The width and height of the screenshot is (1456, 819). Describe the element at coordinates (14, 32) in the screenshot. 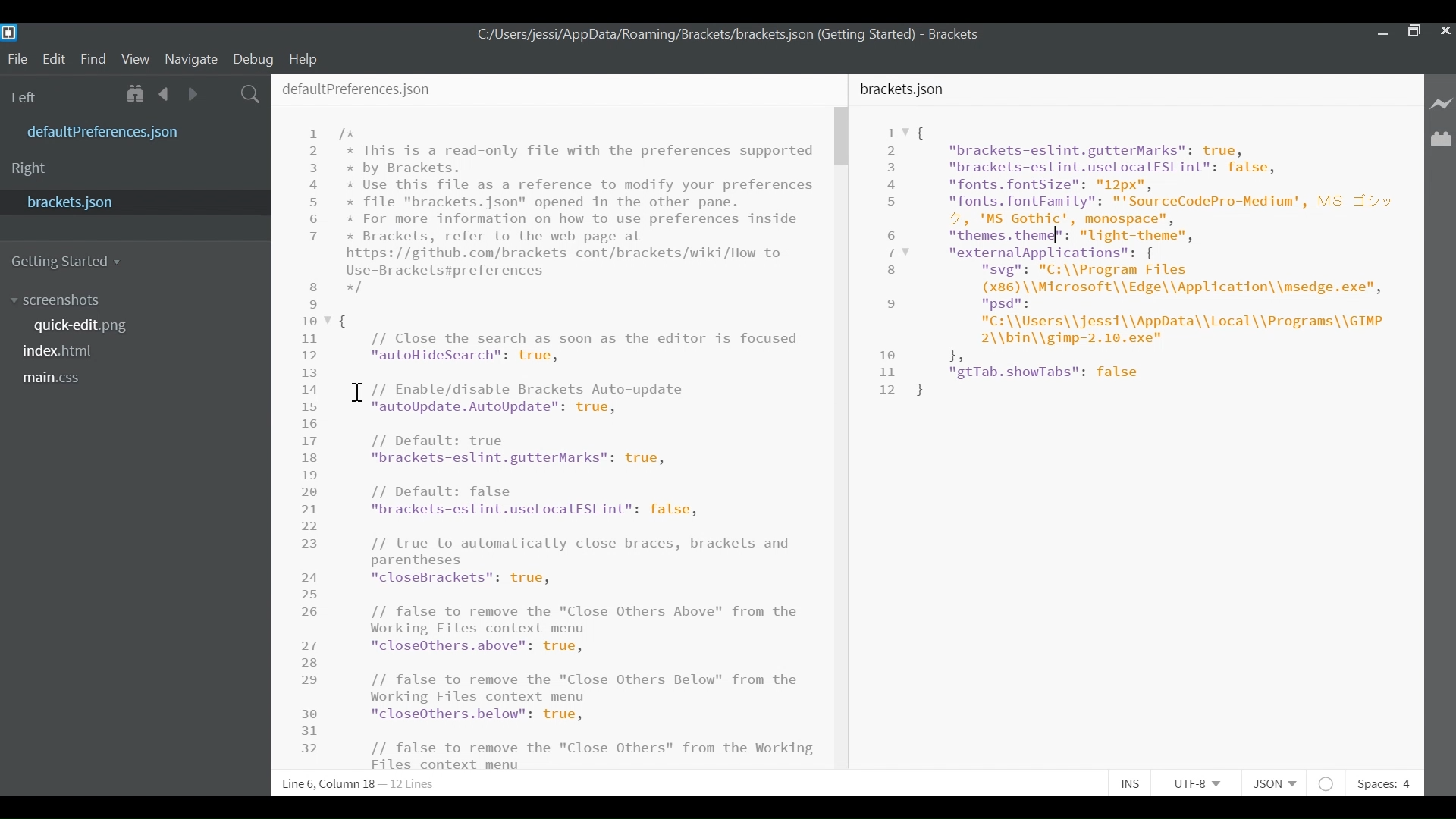

I see `Brackets Desktop icon` at that location.